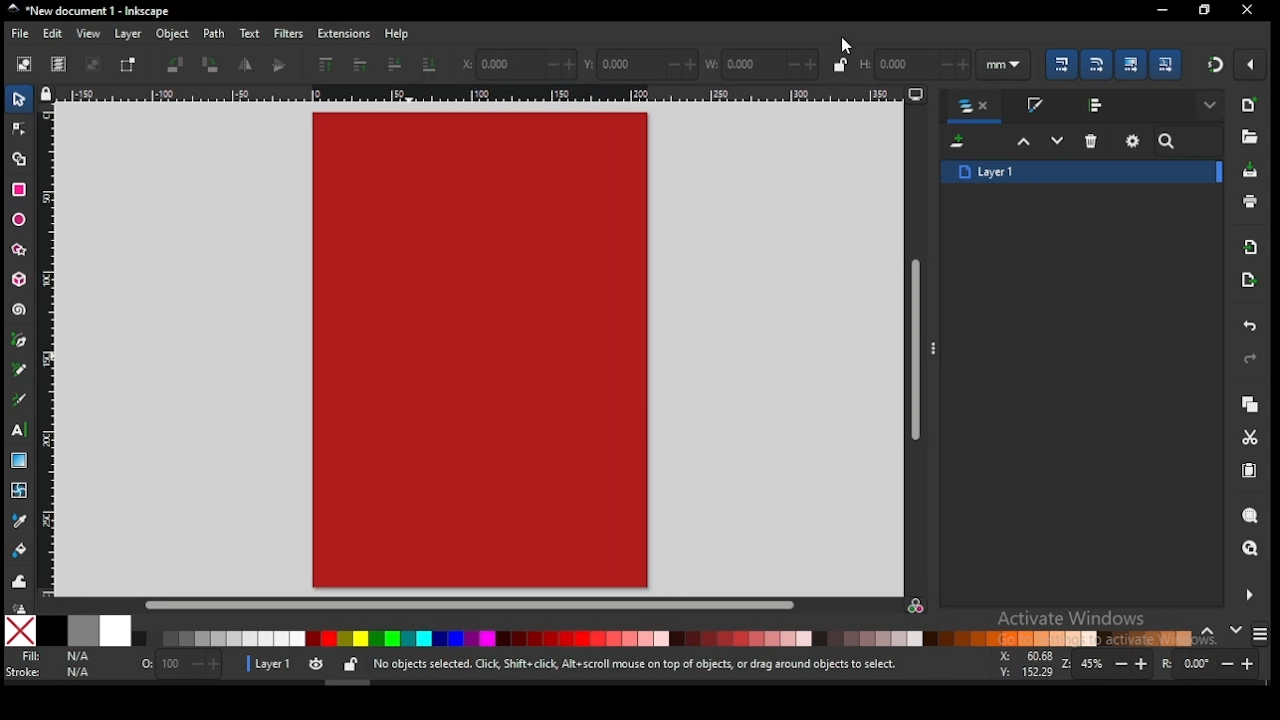 The height and width of the screenshot is (720, 1280). Describe the element at coordinates (20, 221) in the screenshot. I see `ellipse/arc tool` at that location.